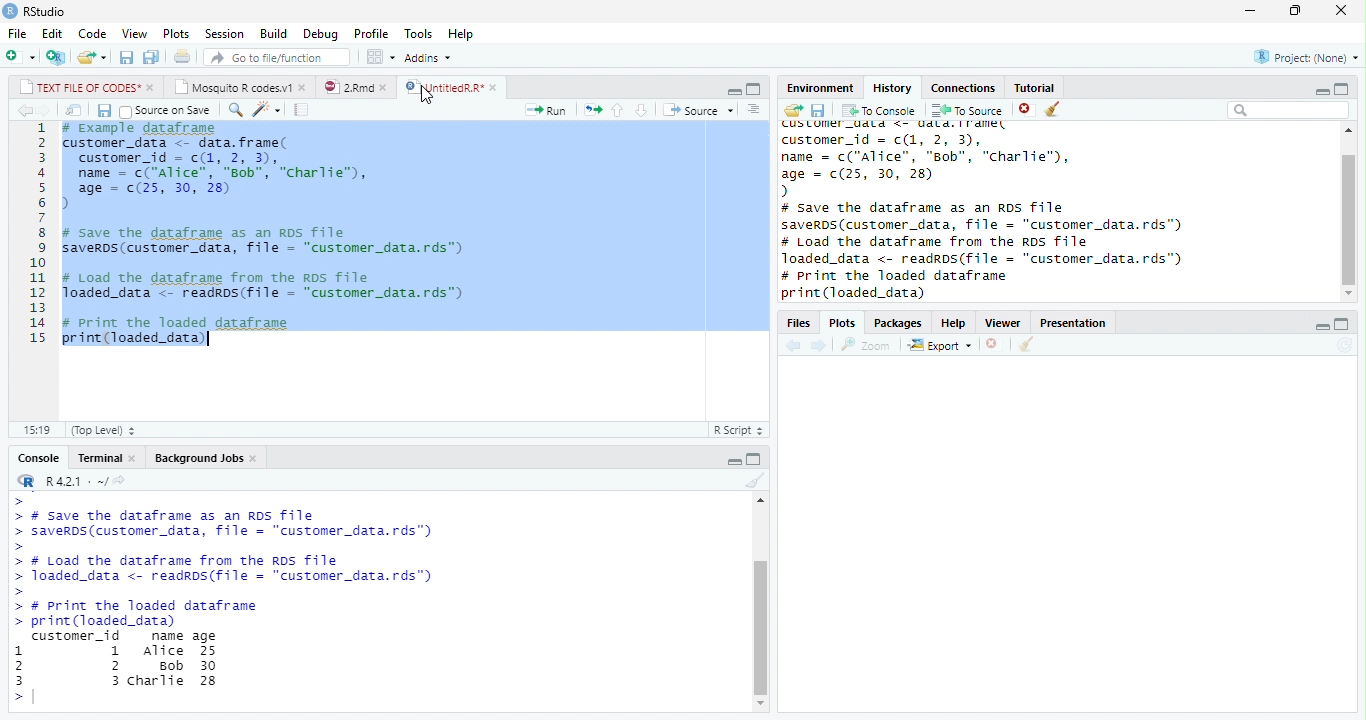 This screenshot has height=720, width=1366. I want to click on search file, so click(278, 57).